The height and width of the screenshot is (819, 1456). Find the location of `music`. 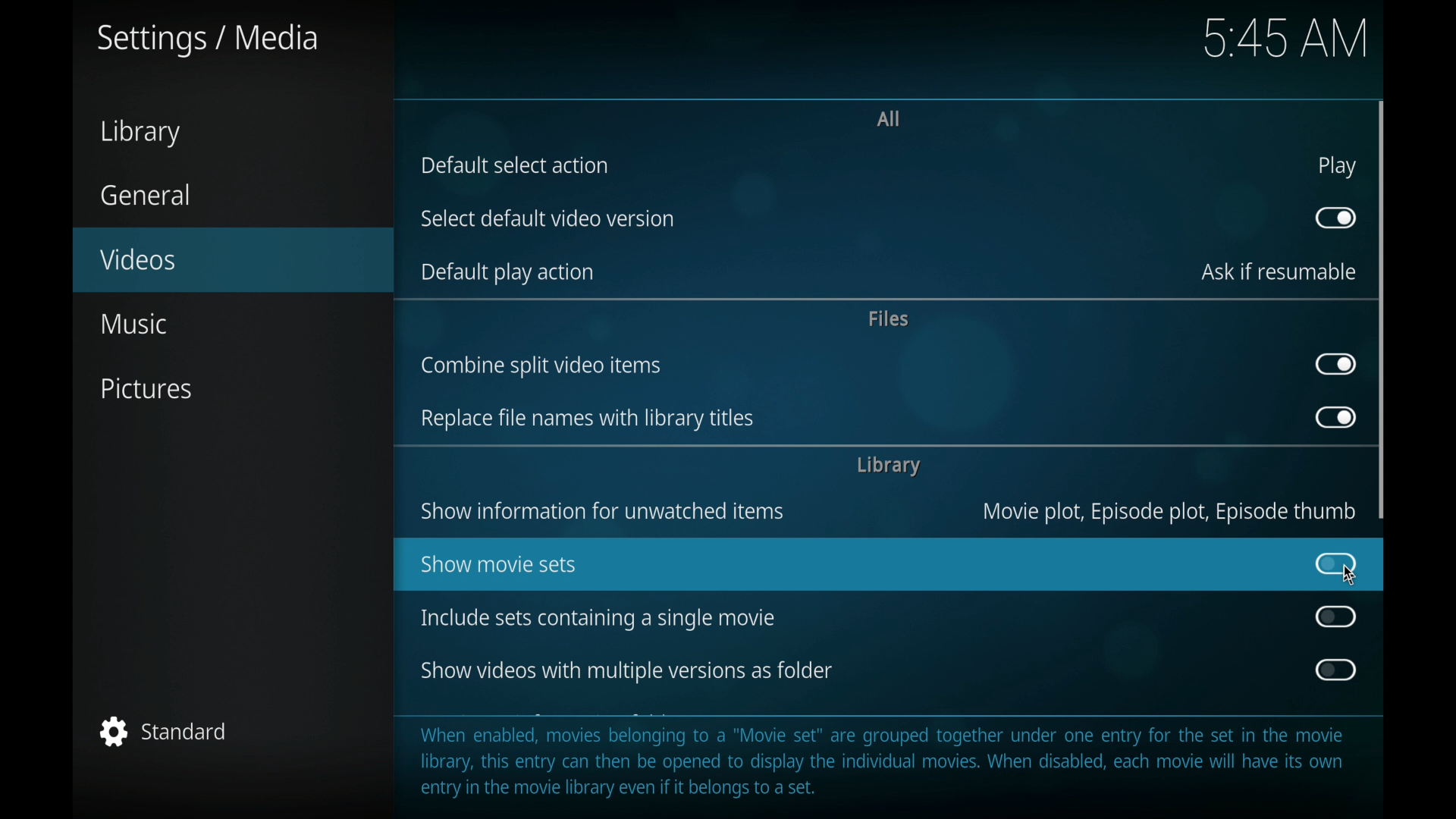

music is located at coordinates (133, 324).